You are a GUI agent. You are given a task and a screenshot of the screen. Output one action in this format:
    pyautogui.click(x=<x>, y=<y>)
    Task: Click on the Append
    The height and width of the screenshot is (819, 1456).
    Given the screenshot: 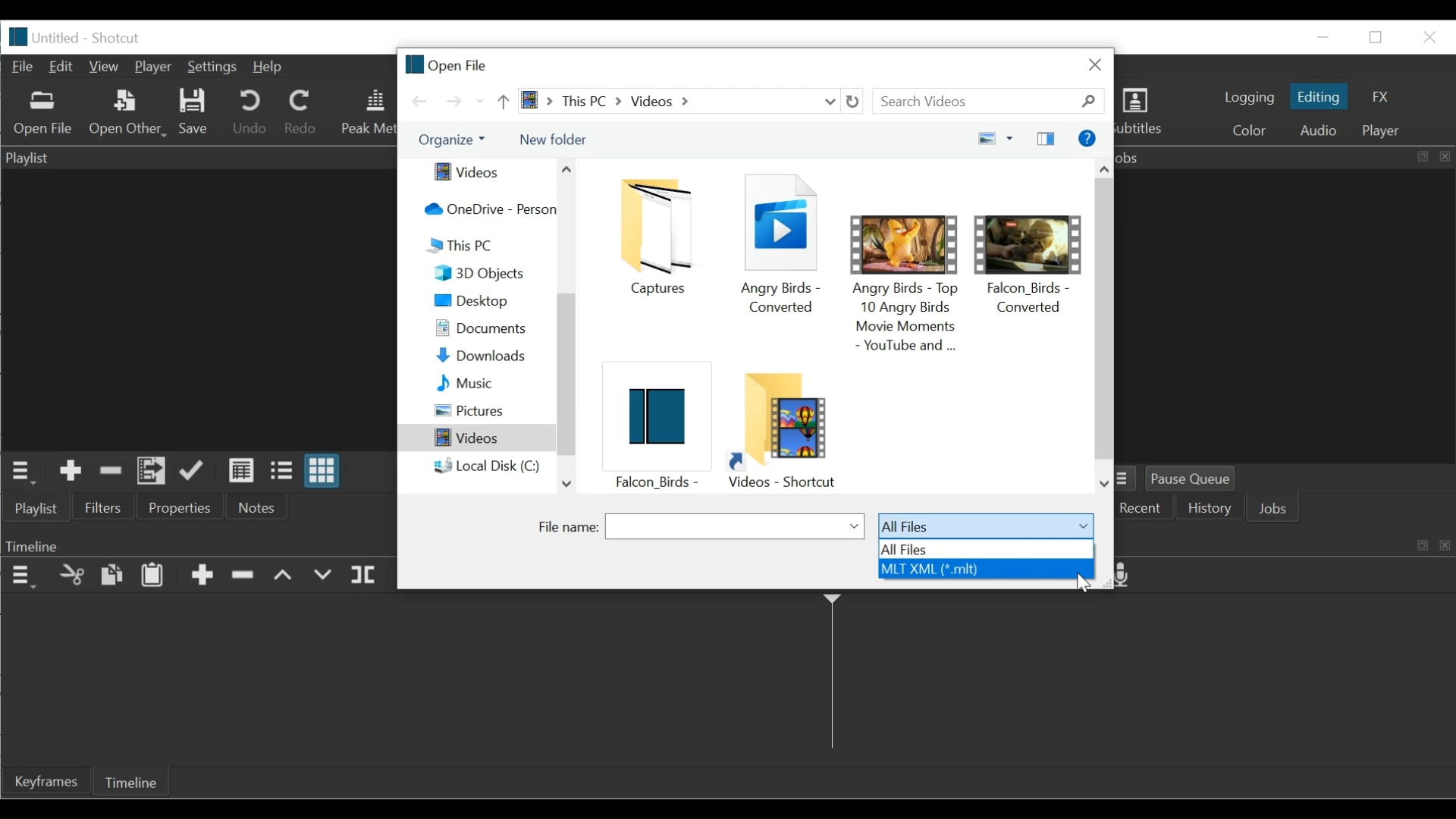 What is the action you would take?
    pyautogui.click(x=202, y=577)
    